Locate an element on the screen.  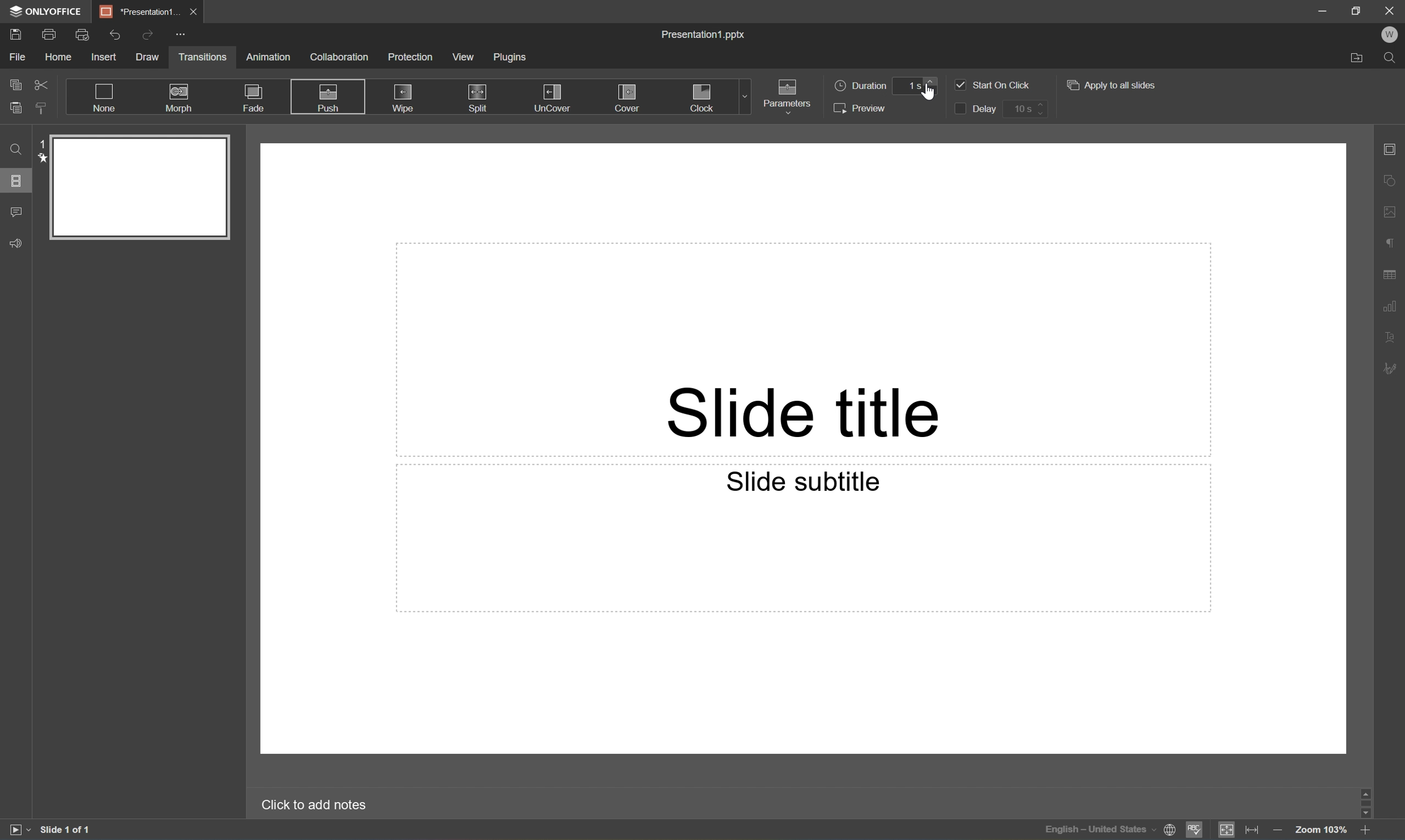
Paste is located at coordinates (17, 108).